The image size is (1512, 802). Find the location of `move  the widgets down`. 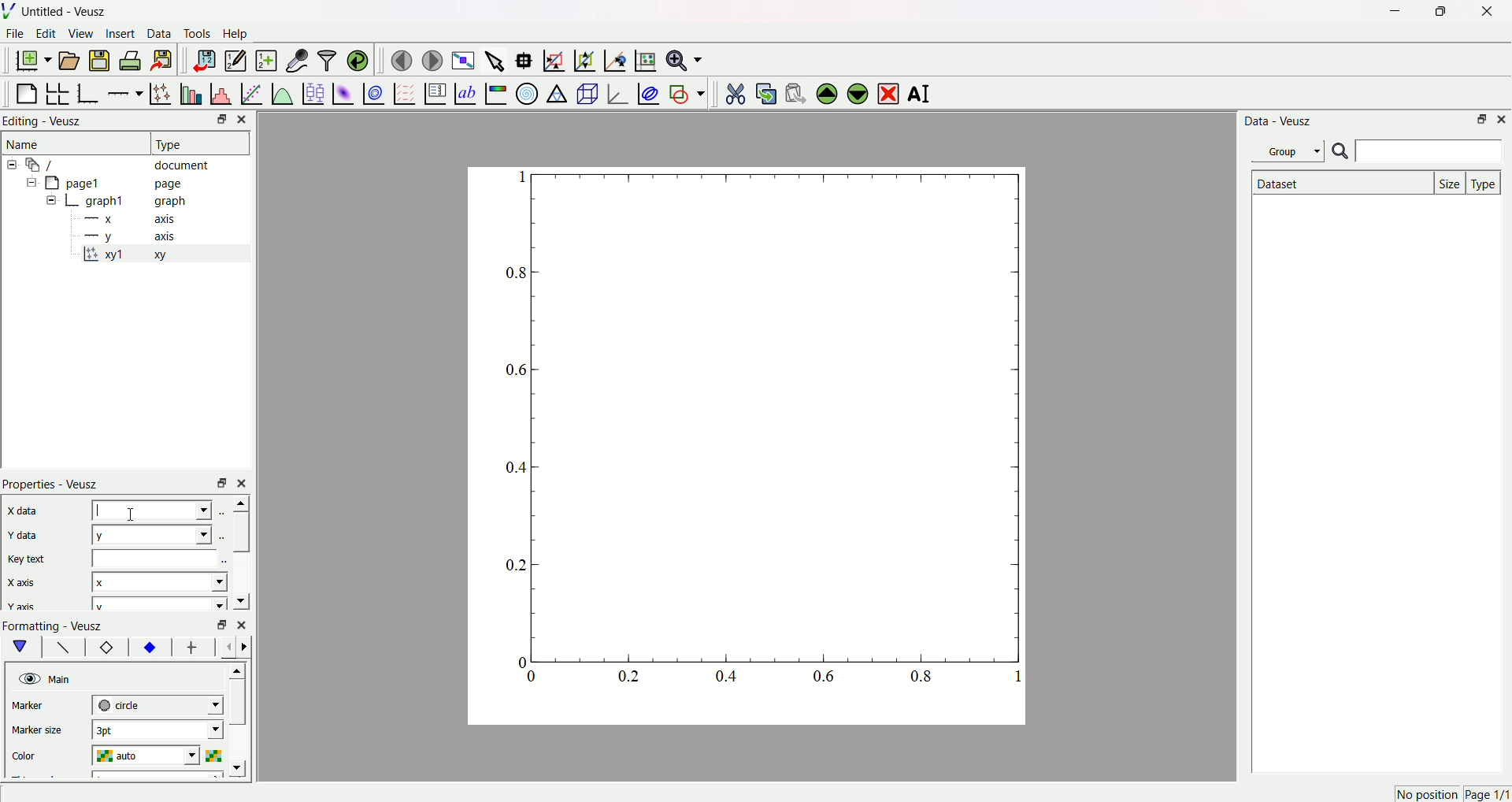

move  the widgets down is located at coordinates (855, 93).